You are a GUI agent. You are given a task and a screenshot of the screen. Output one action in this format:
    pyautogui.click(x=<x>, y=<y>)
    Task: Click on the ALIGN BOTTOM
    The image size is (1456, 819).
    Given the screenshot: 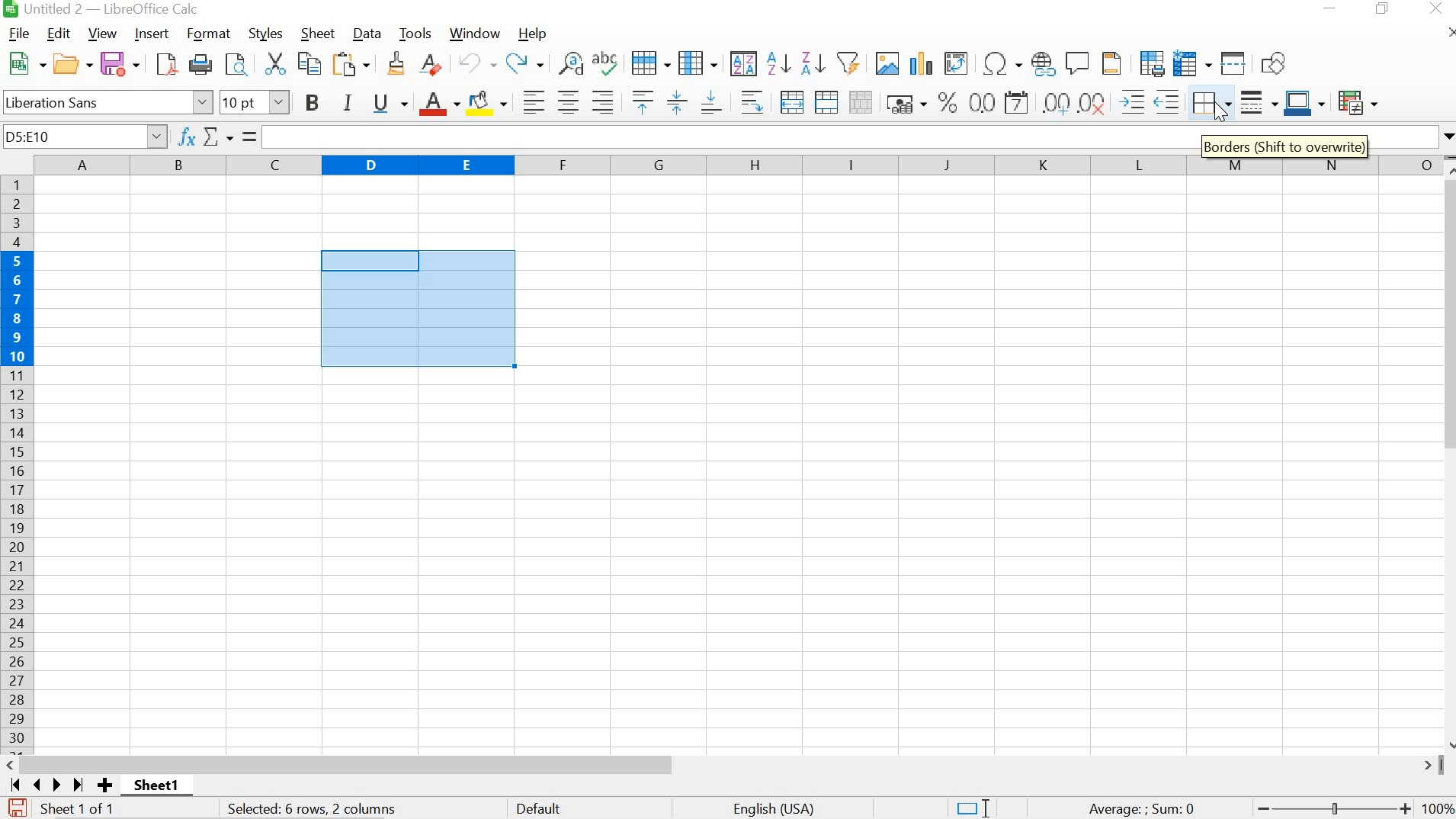 What is the action you would take?
    pyautogui.click(x=710, y=104)
    